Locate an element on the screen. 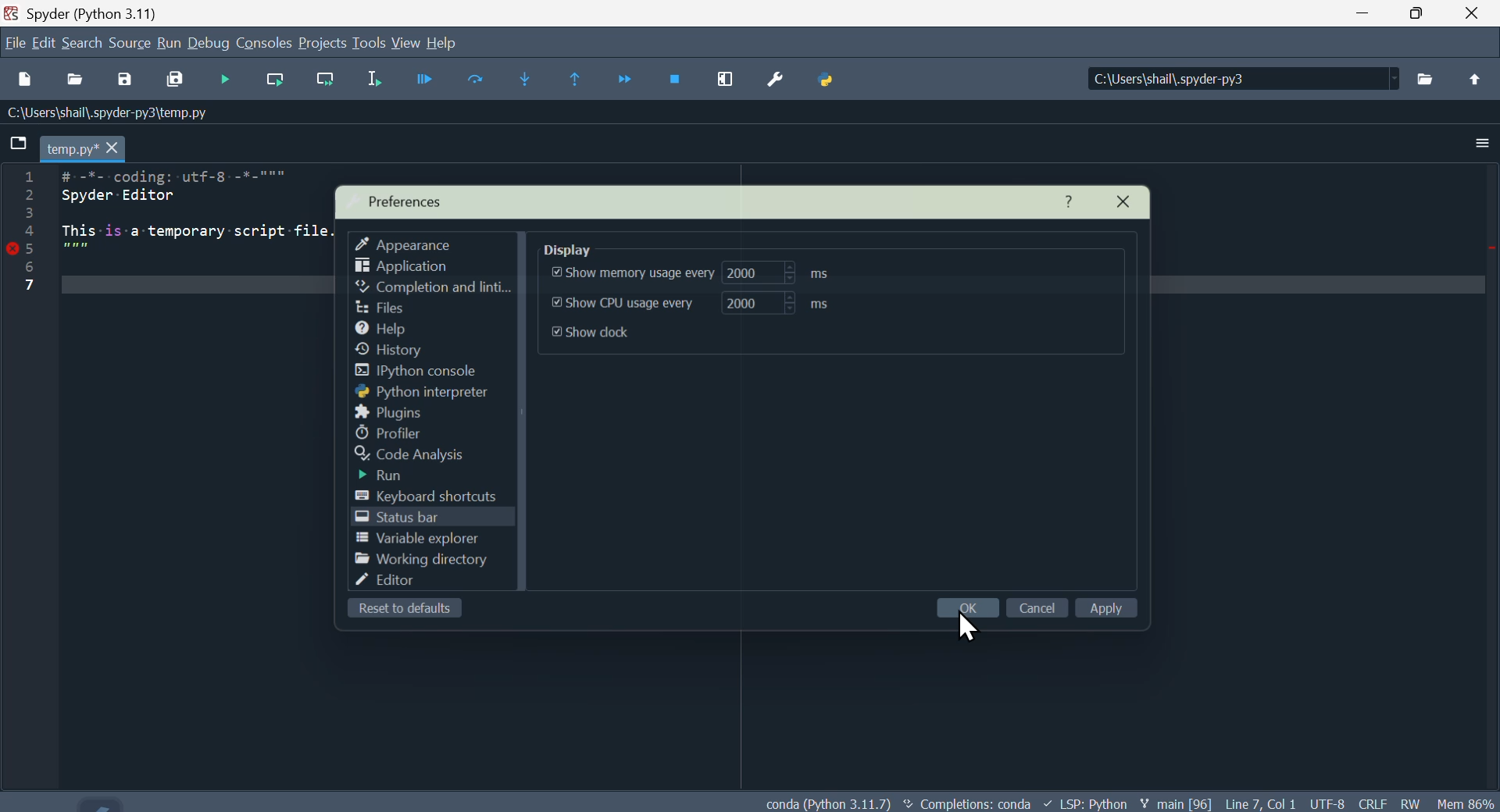 The width and height of the screenshot is (1500, 812). Profiler is located at coordinates (395, 433).